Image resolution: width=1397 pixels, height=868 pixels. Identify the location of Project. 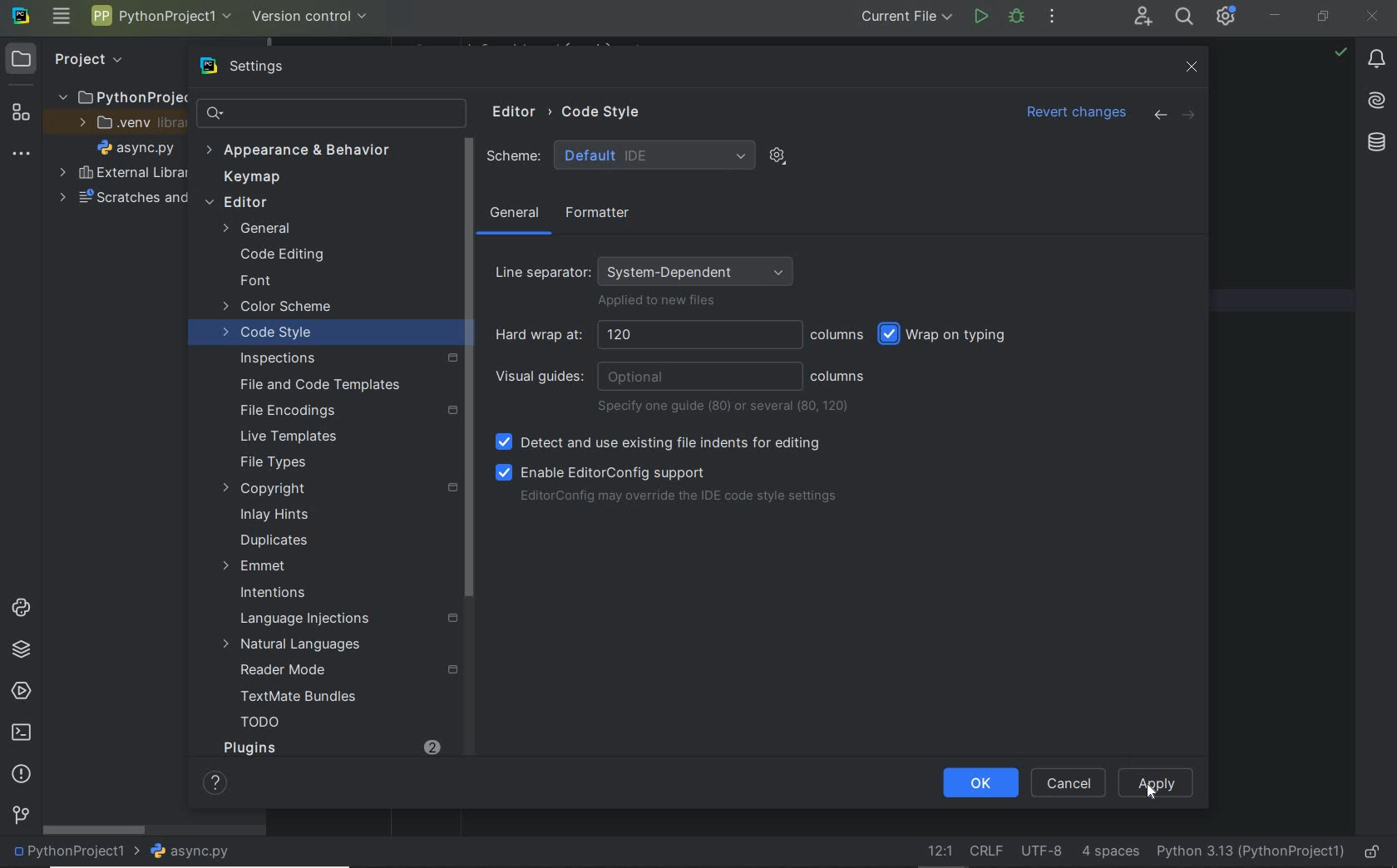
(88, 59).